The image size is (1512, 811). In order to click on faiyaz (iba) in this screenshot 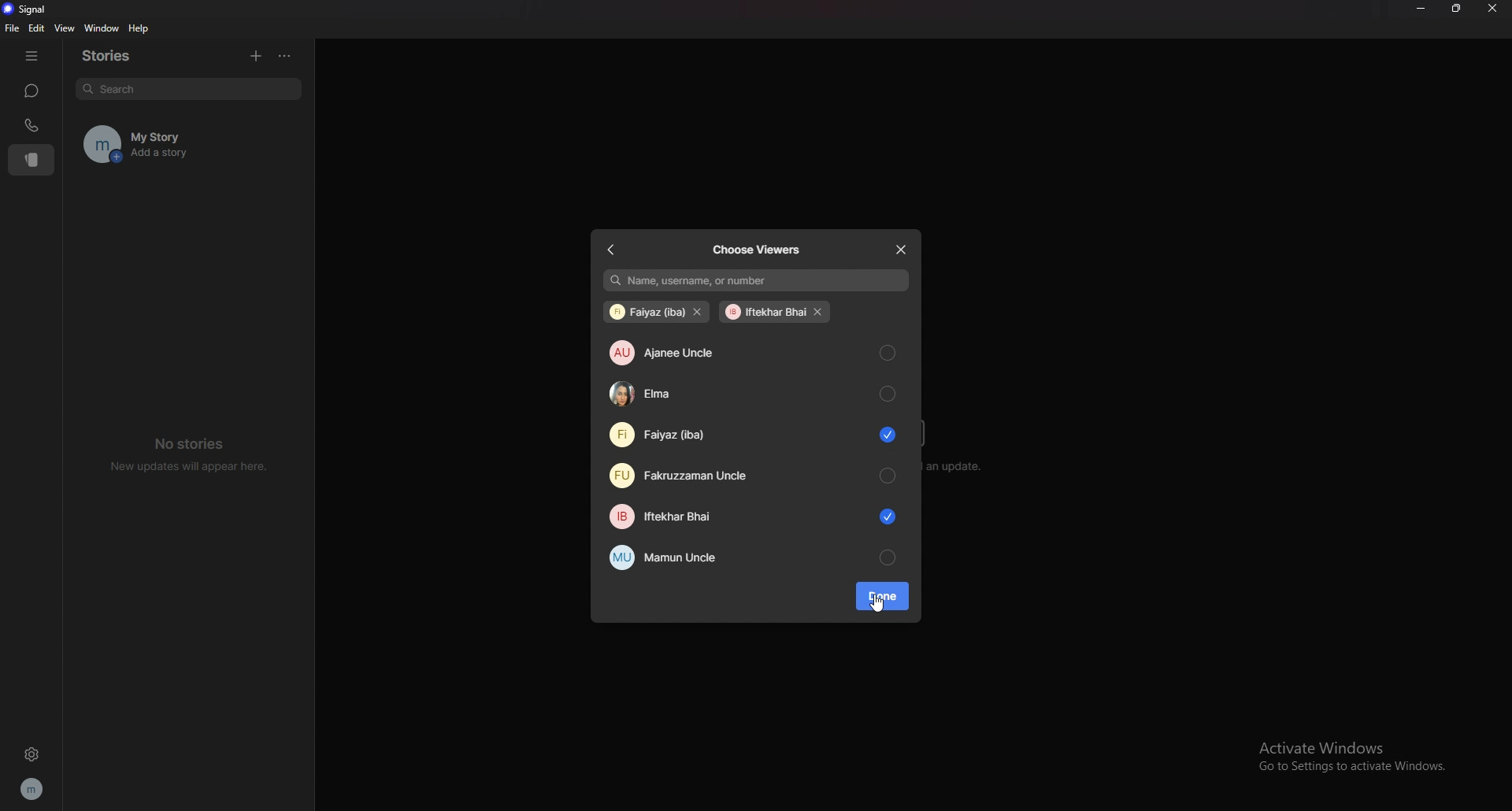, I will do `click(647, 312)`.